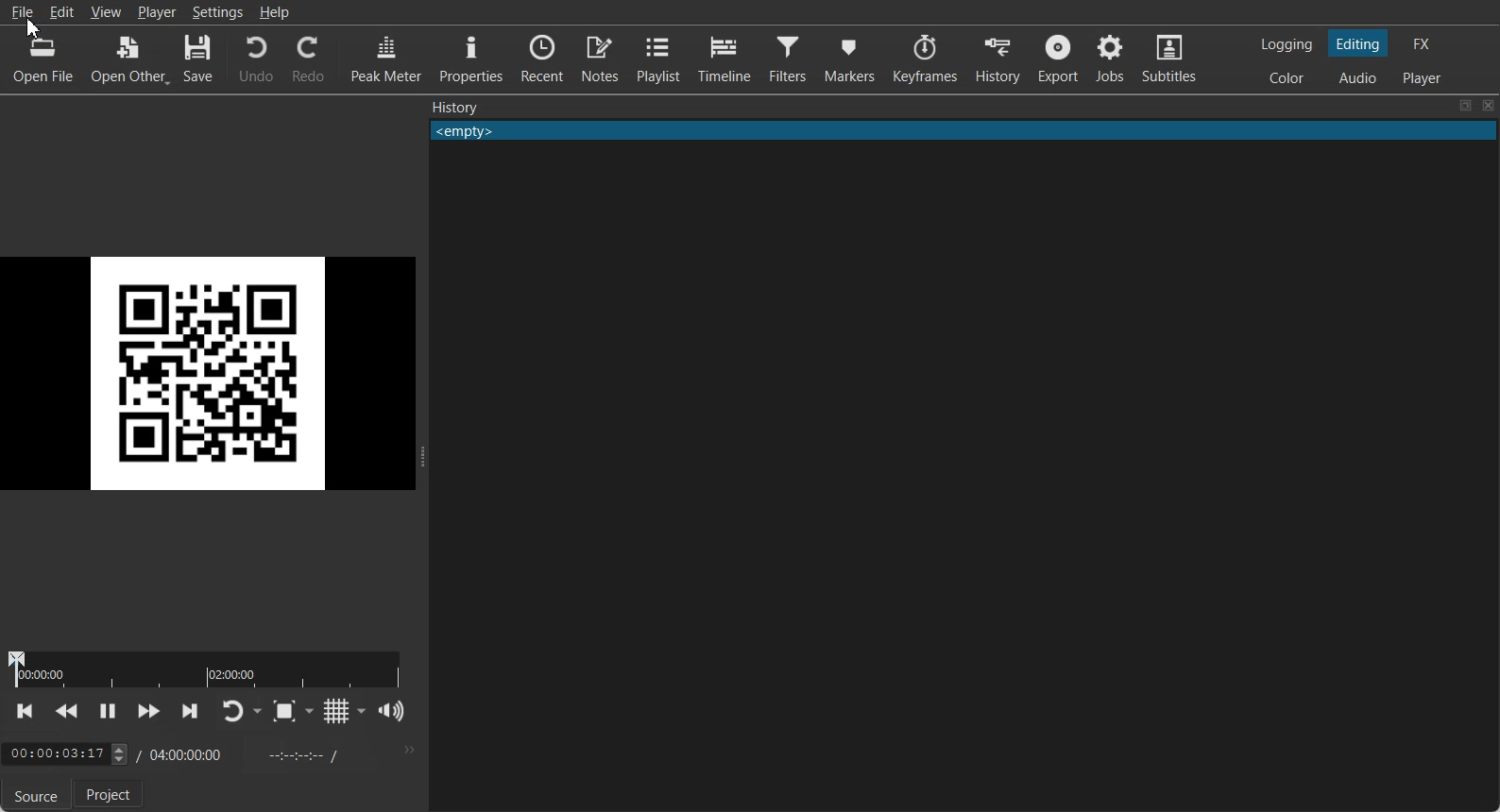  Describe the element at coordinates (335, 711) in the screenshot. I see `Toggle grid display on the player` at that location.